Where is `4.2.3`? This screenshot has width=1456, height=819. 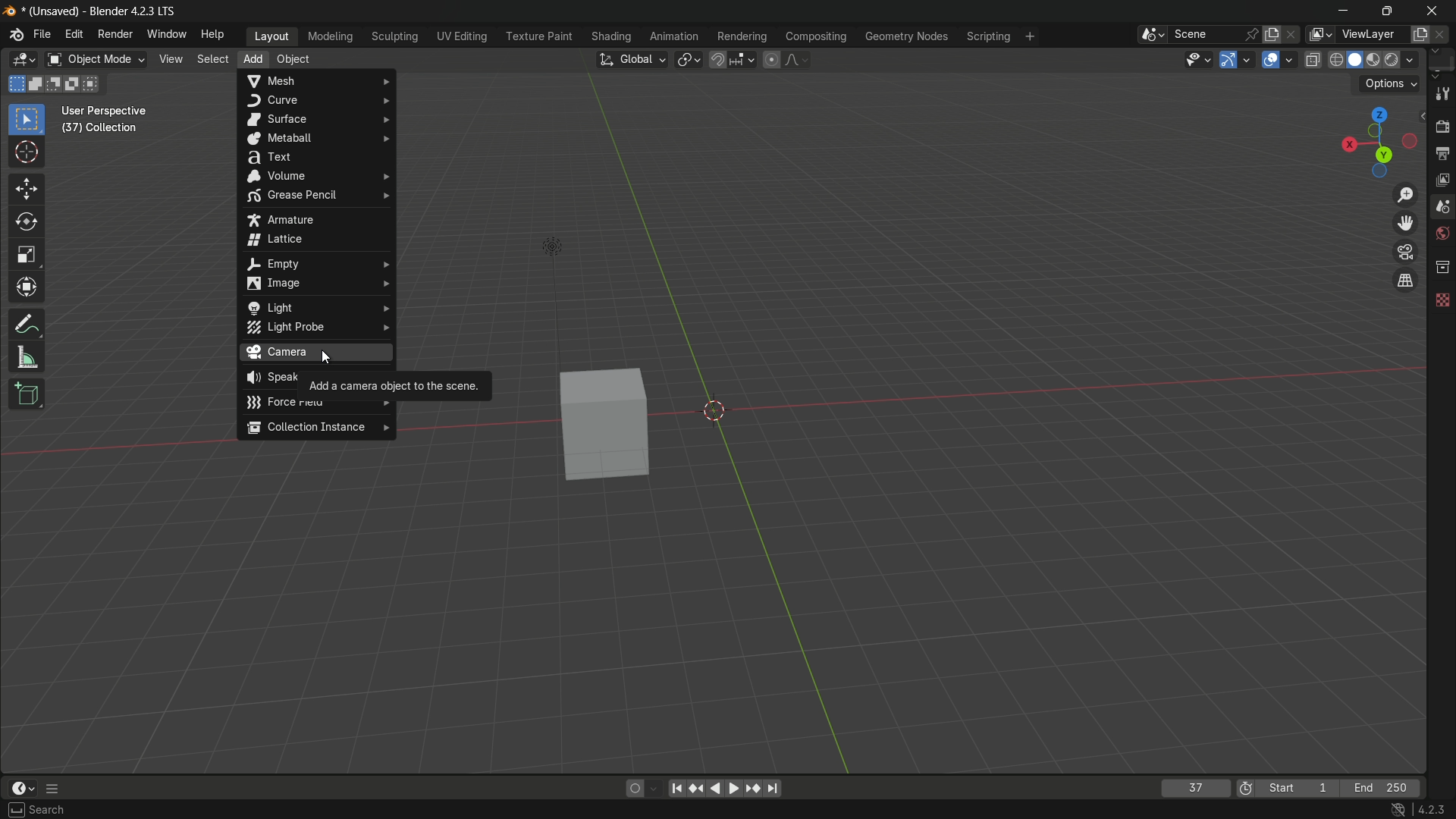 4.2.3 is located at coordinates (1406, 811).